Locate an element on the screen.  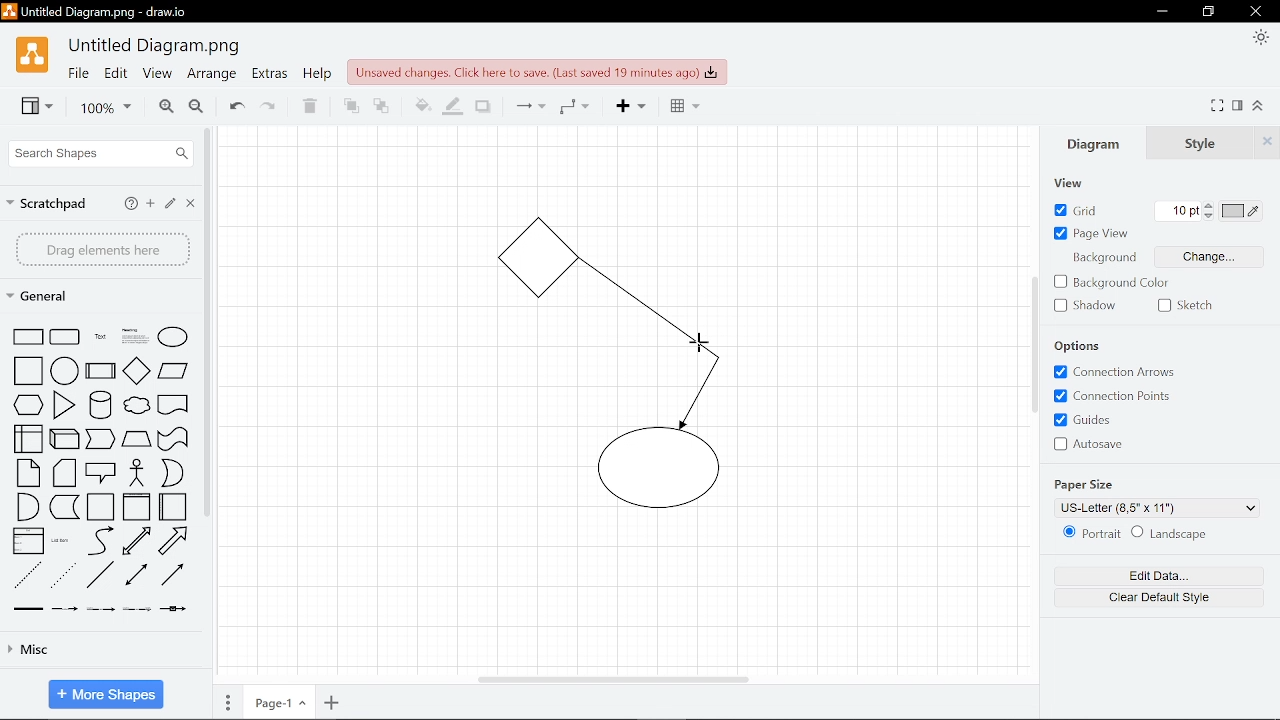
Shadow is located at coordinates (483, 105).